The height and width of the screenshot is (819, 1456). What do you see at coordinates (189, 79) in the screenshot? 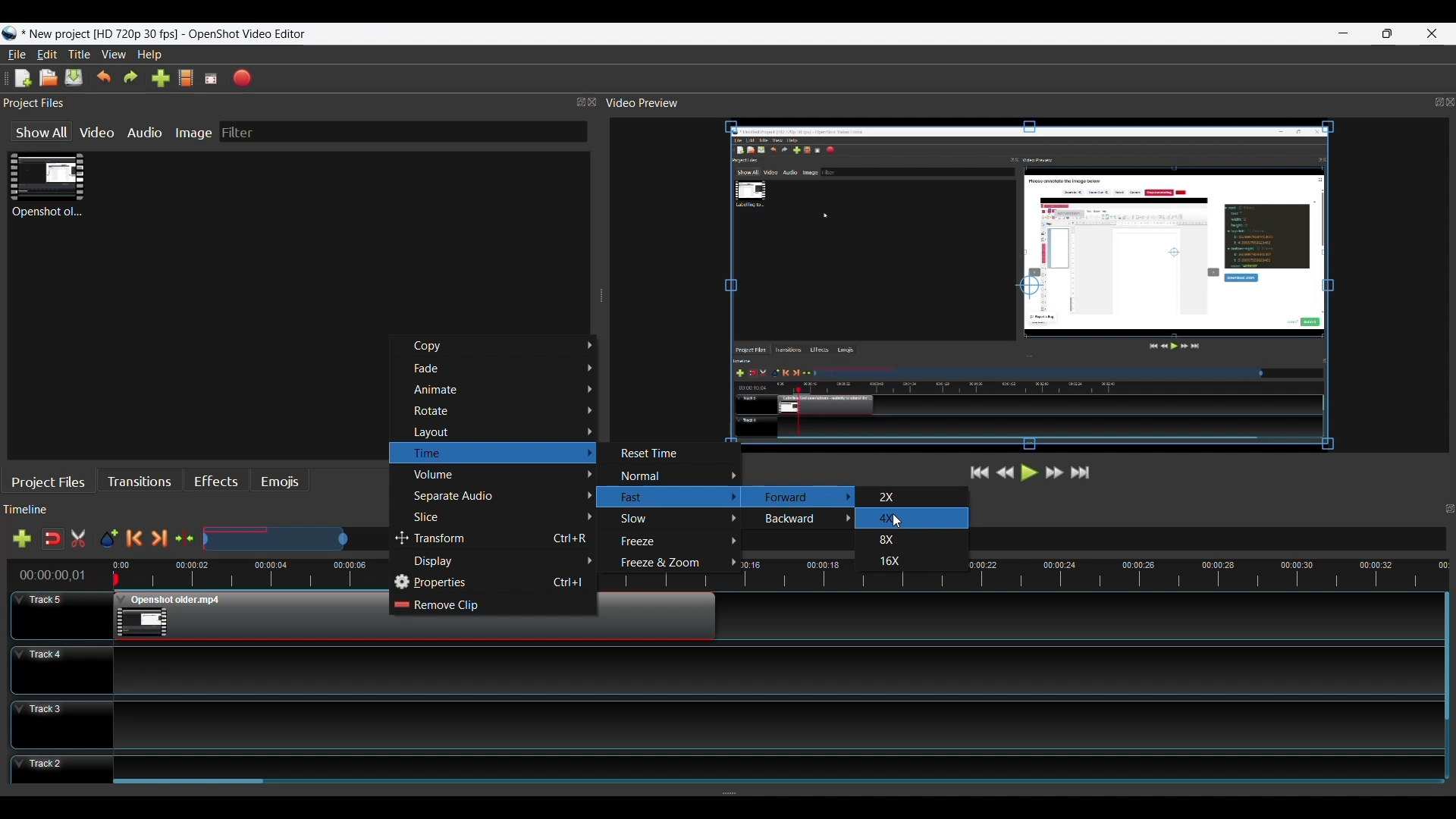
I see `Choose File` at bounding box center [189, 79].